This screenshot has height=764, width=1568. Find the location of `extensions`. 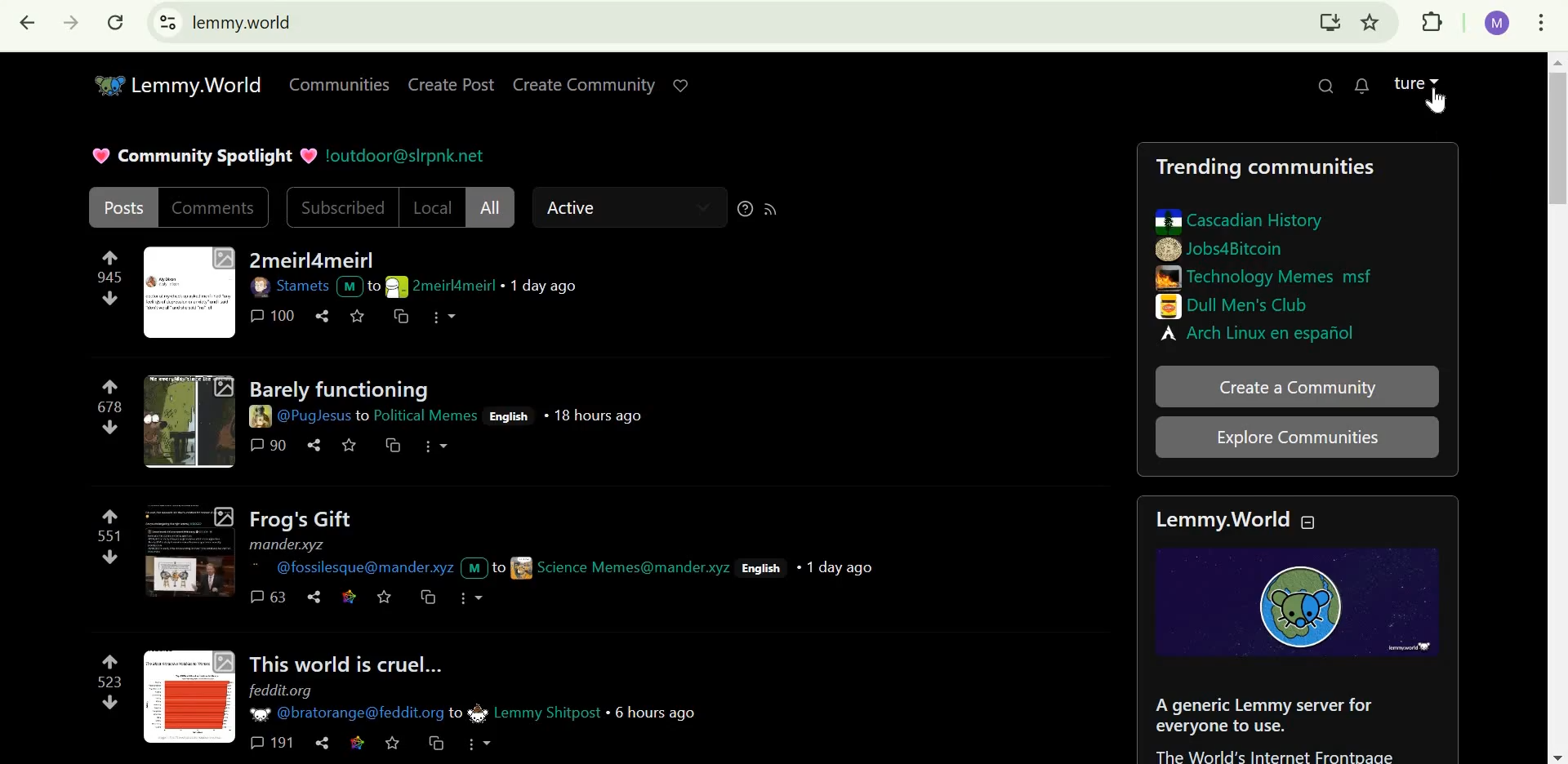

extensions is located at coordinates (1433, 23).